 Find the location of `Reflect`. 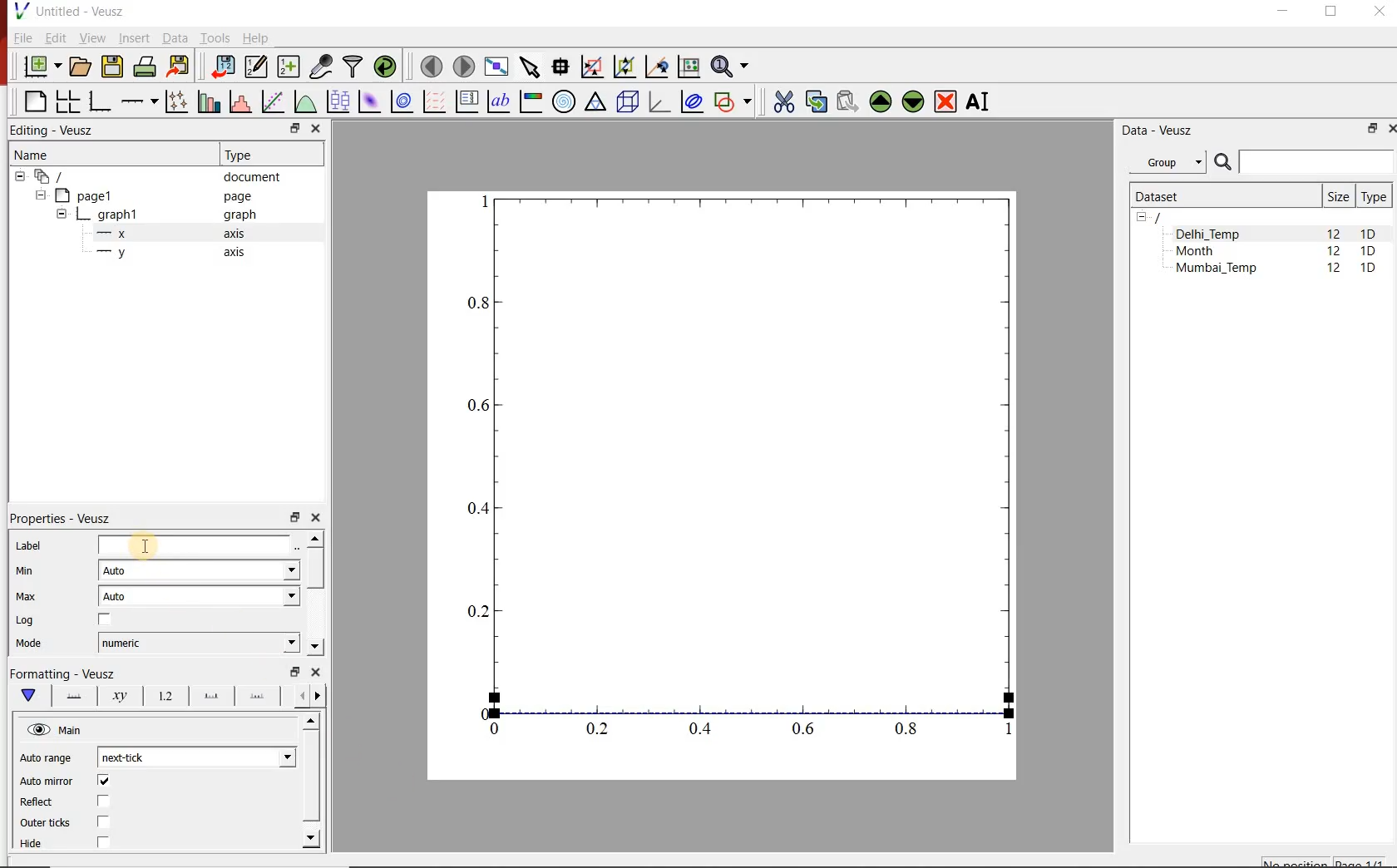

Reflect is located at coordinates (39, 802).